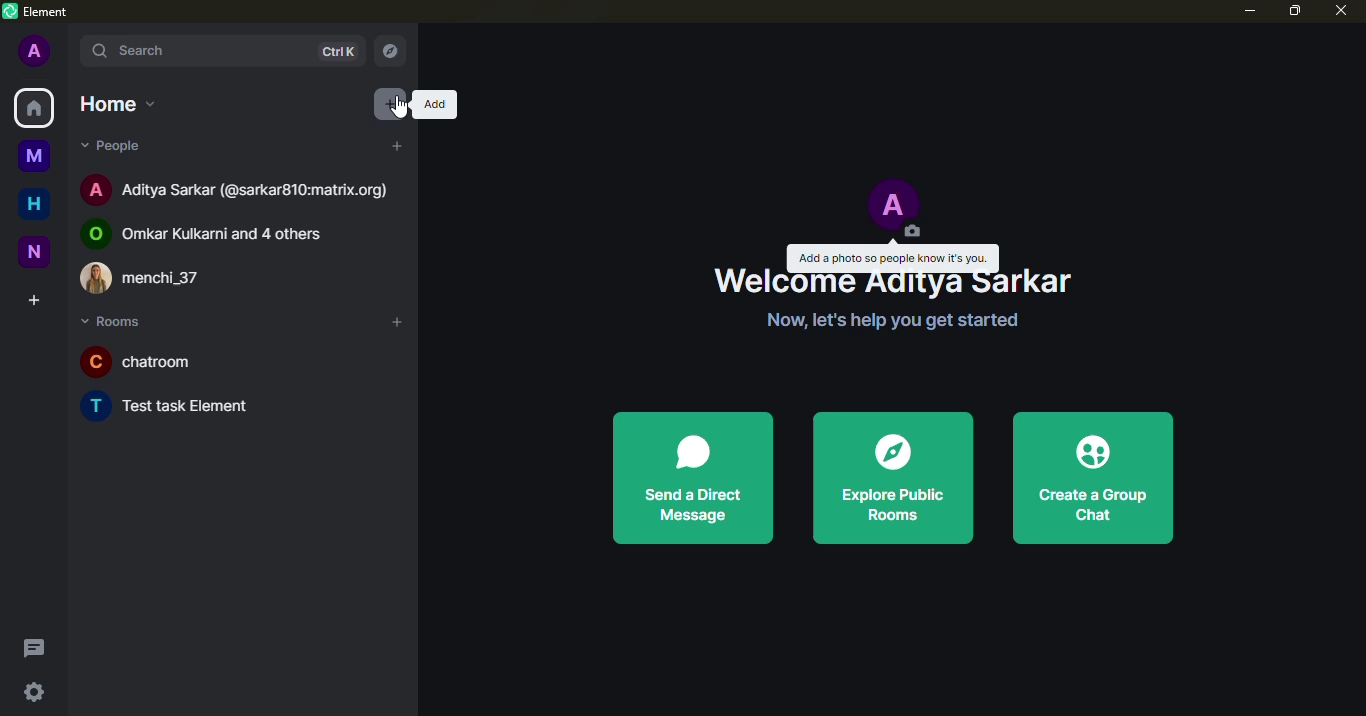 The width and height of the screenshot is (1366, 716). What do you see at coordinates (337, 52) in the screenshot?
I see `ctrlK` at bounding box center [337, 52].